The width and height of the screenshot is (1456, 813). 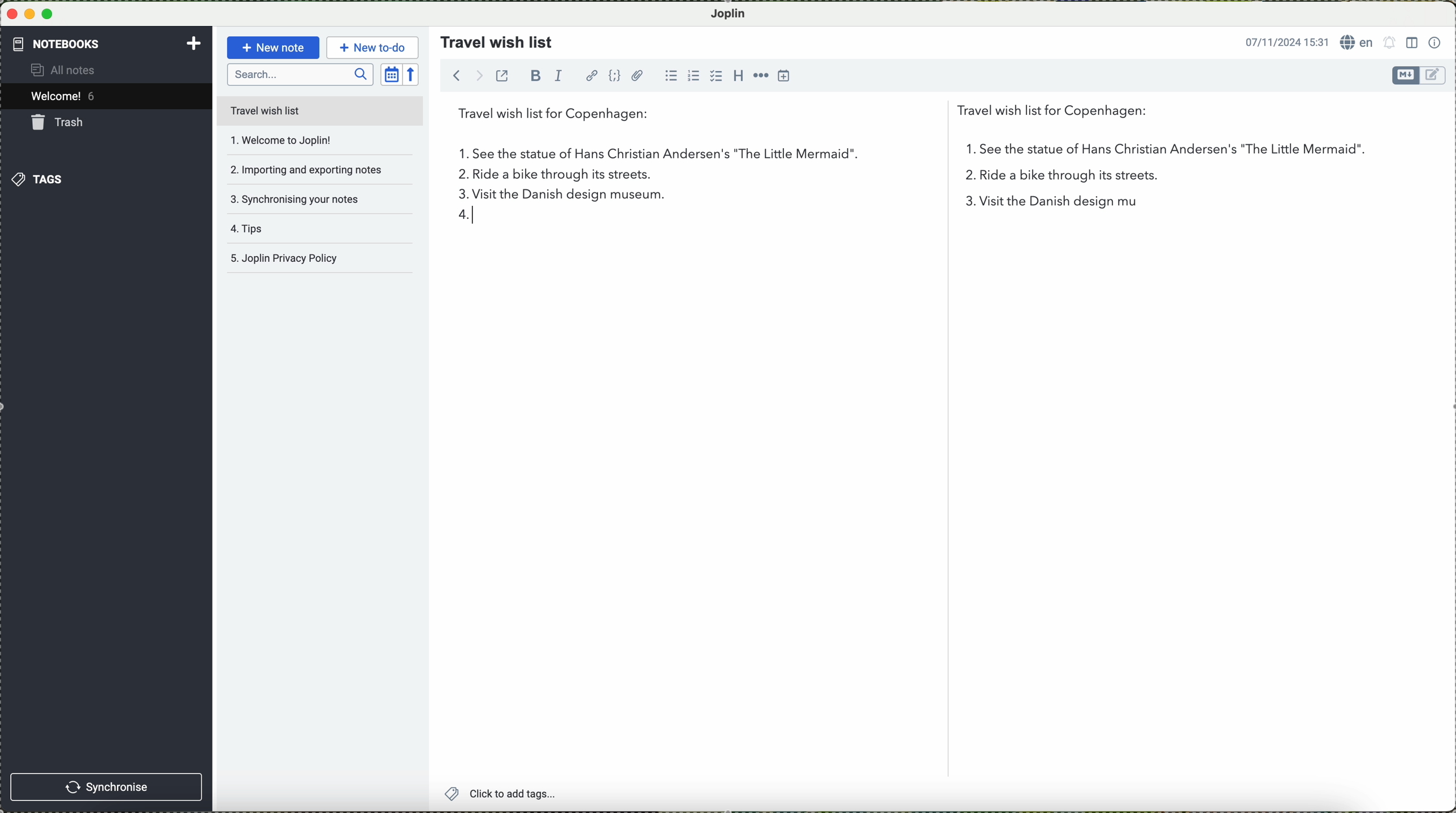 I want to click on travel wish list, so click(x=492, y=38).